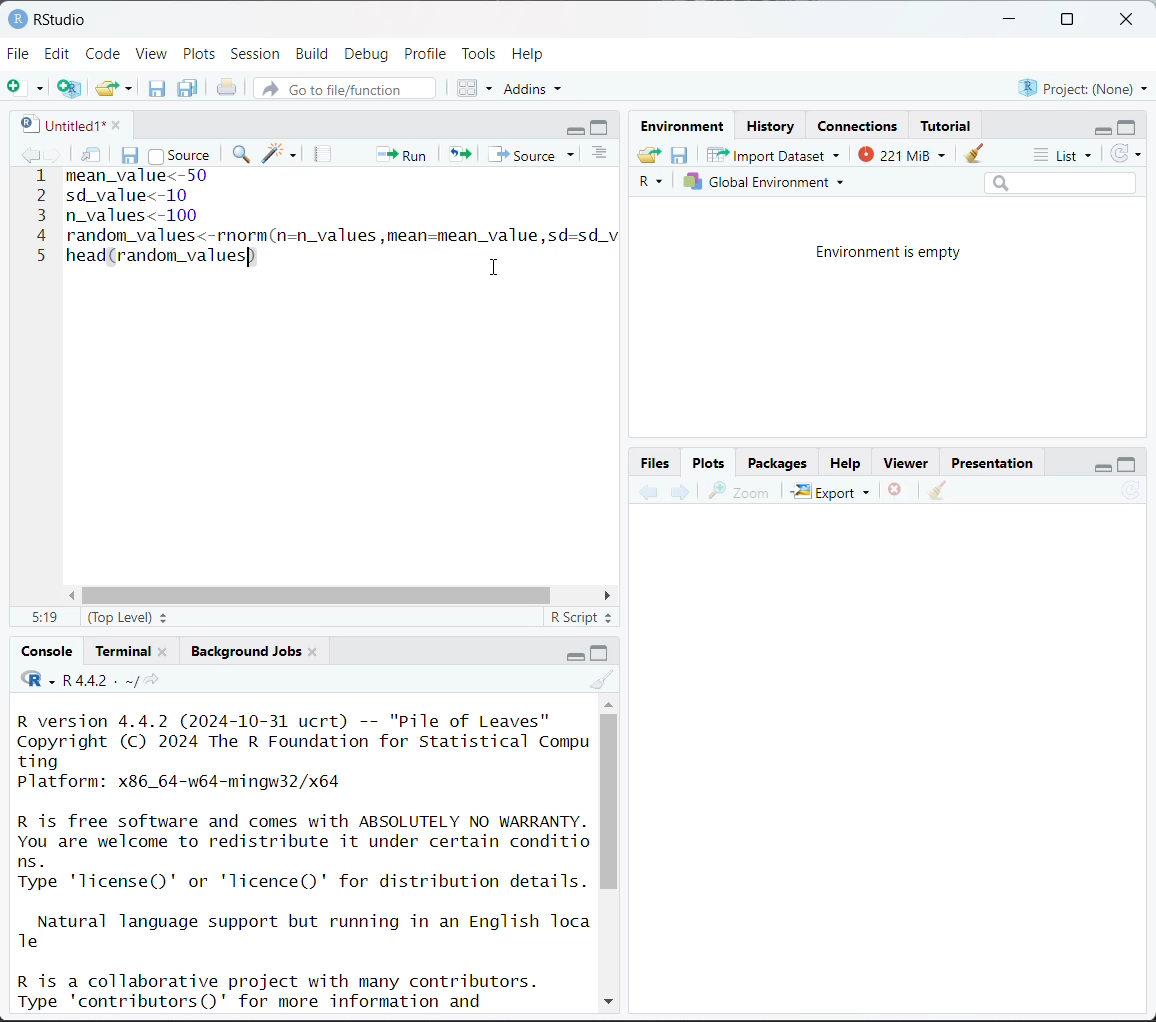 The image size is (1156, 1022). I want to click on go to file/function, so click(343, 90).